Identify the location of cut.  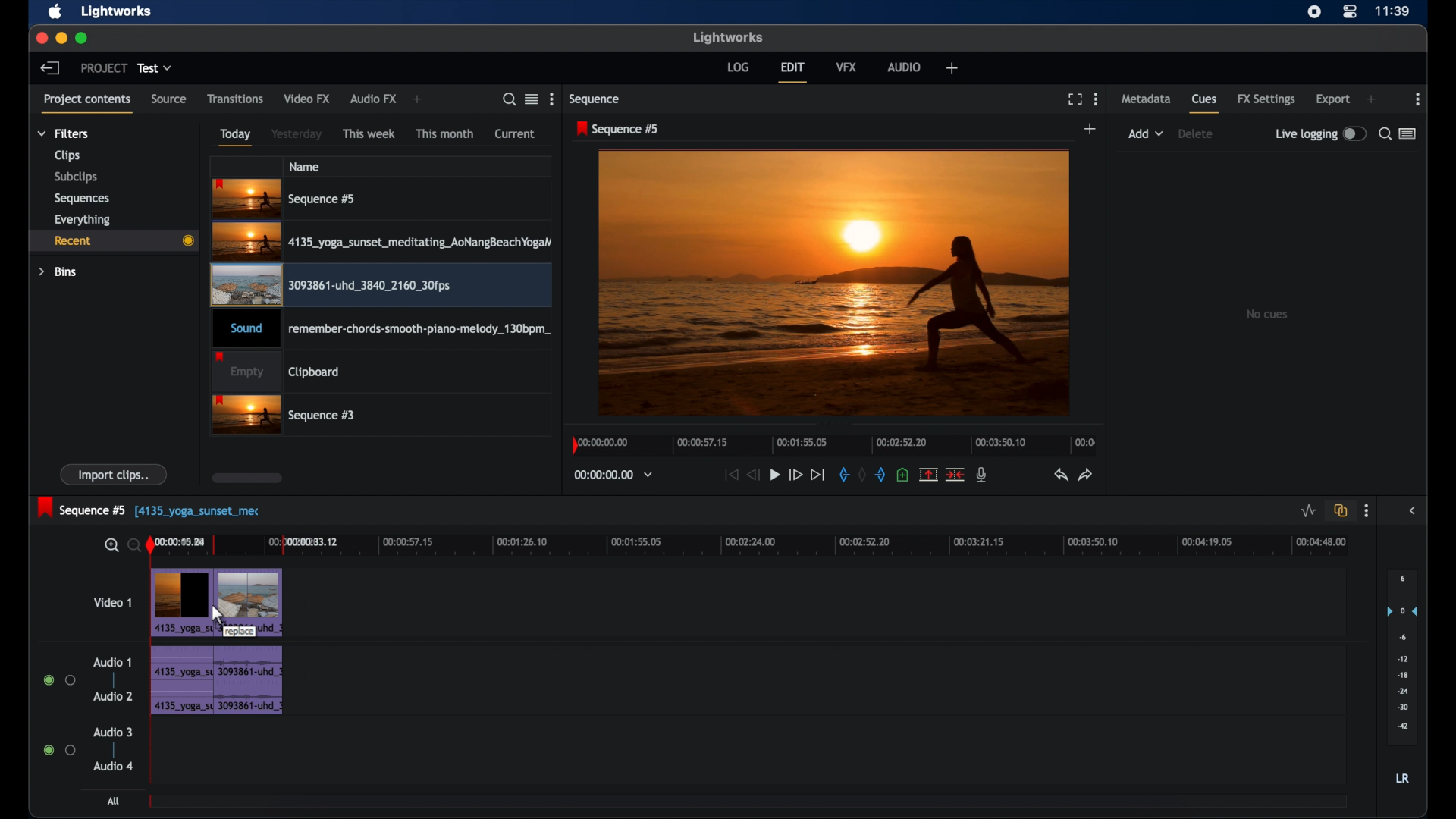
(955, 474).